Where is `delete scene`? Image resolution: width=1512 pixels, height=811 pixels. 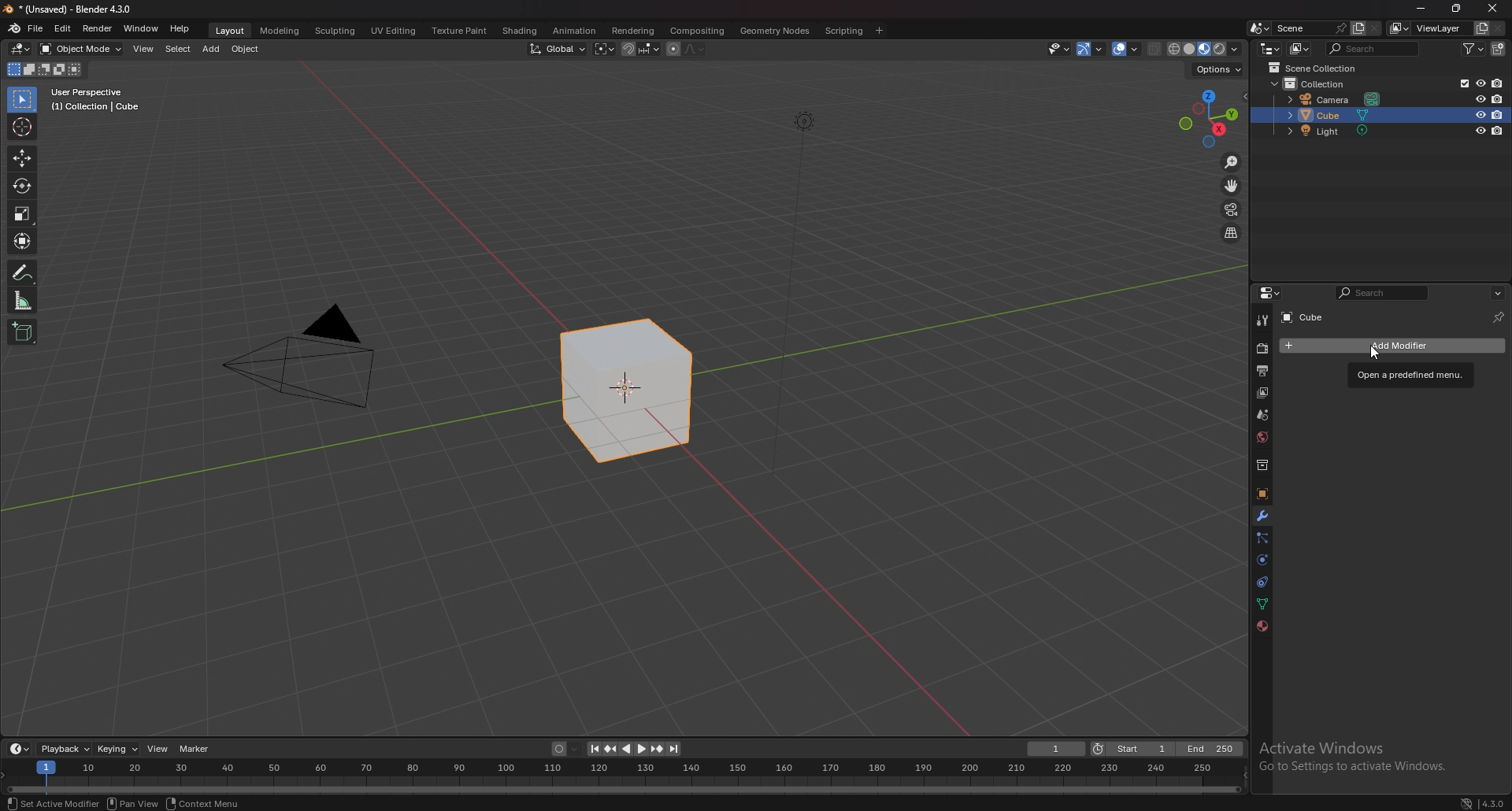
delete scene is located at coordinates (1374, 28).